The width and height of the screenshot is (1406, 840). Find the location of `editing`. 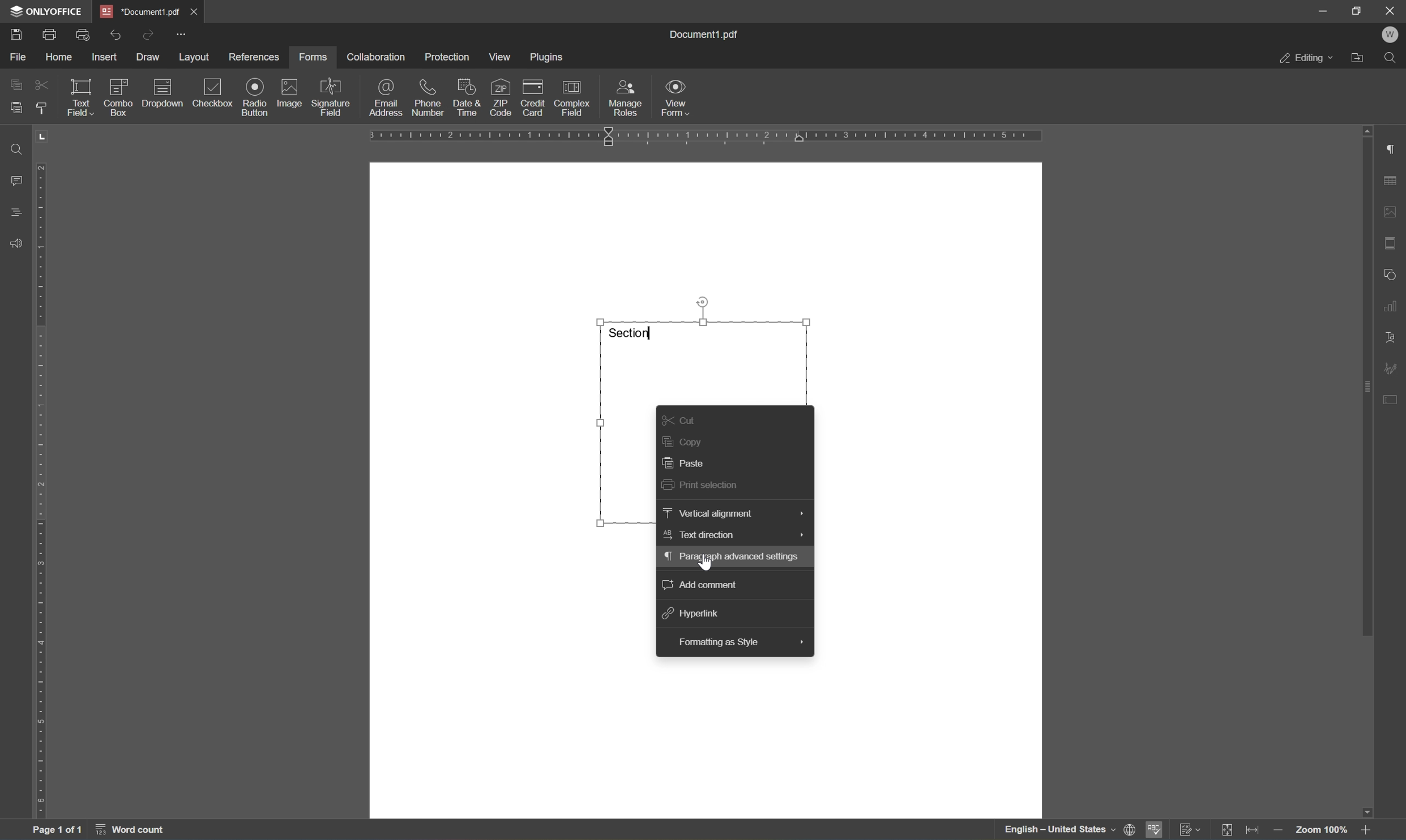

editing is located at coordinates (1307, 61).